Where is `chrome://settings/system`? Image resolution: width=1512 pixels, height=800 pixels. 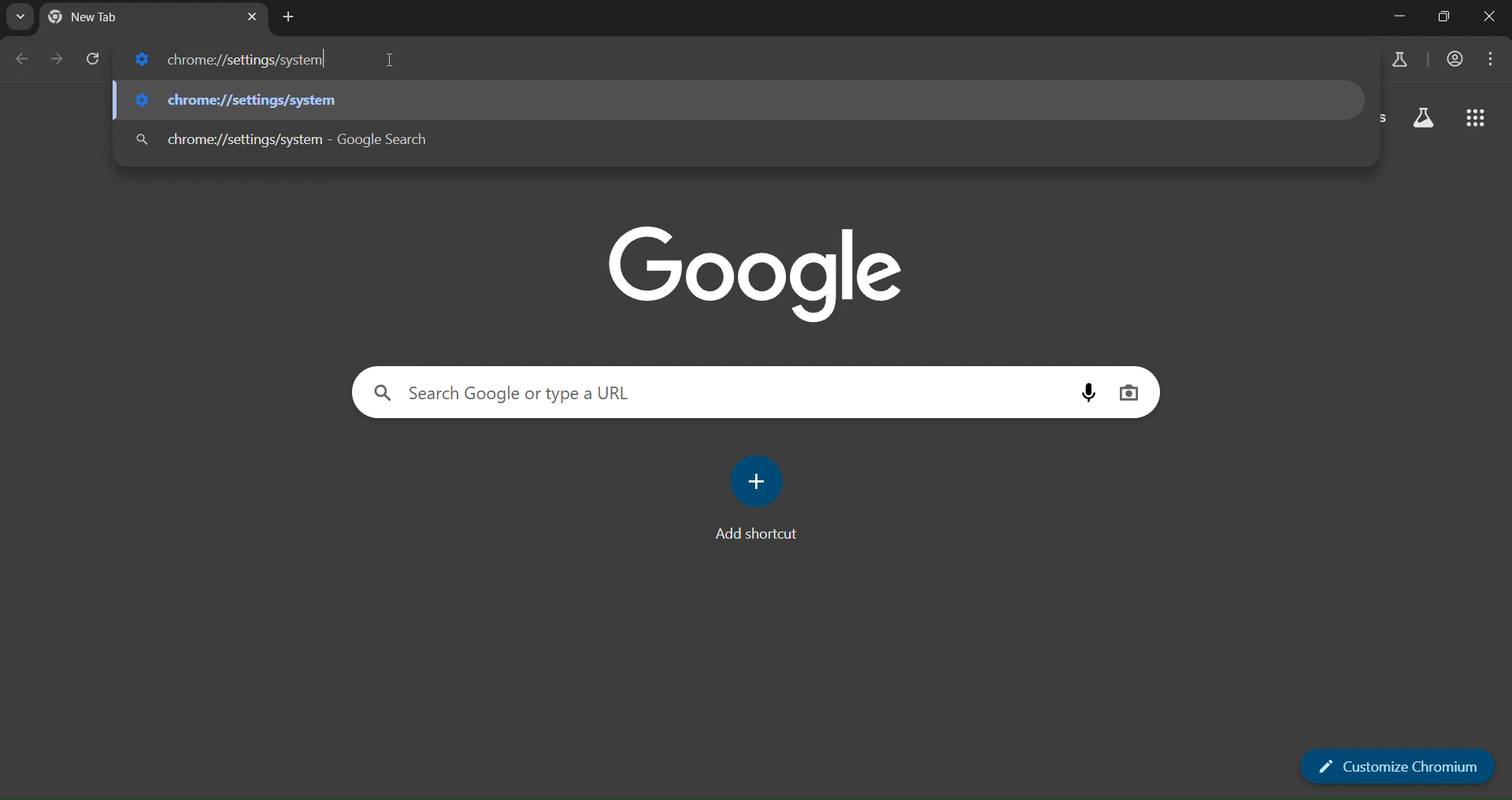 chrome://settings/system is located at coordinates (236, 59).